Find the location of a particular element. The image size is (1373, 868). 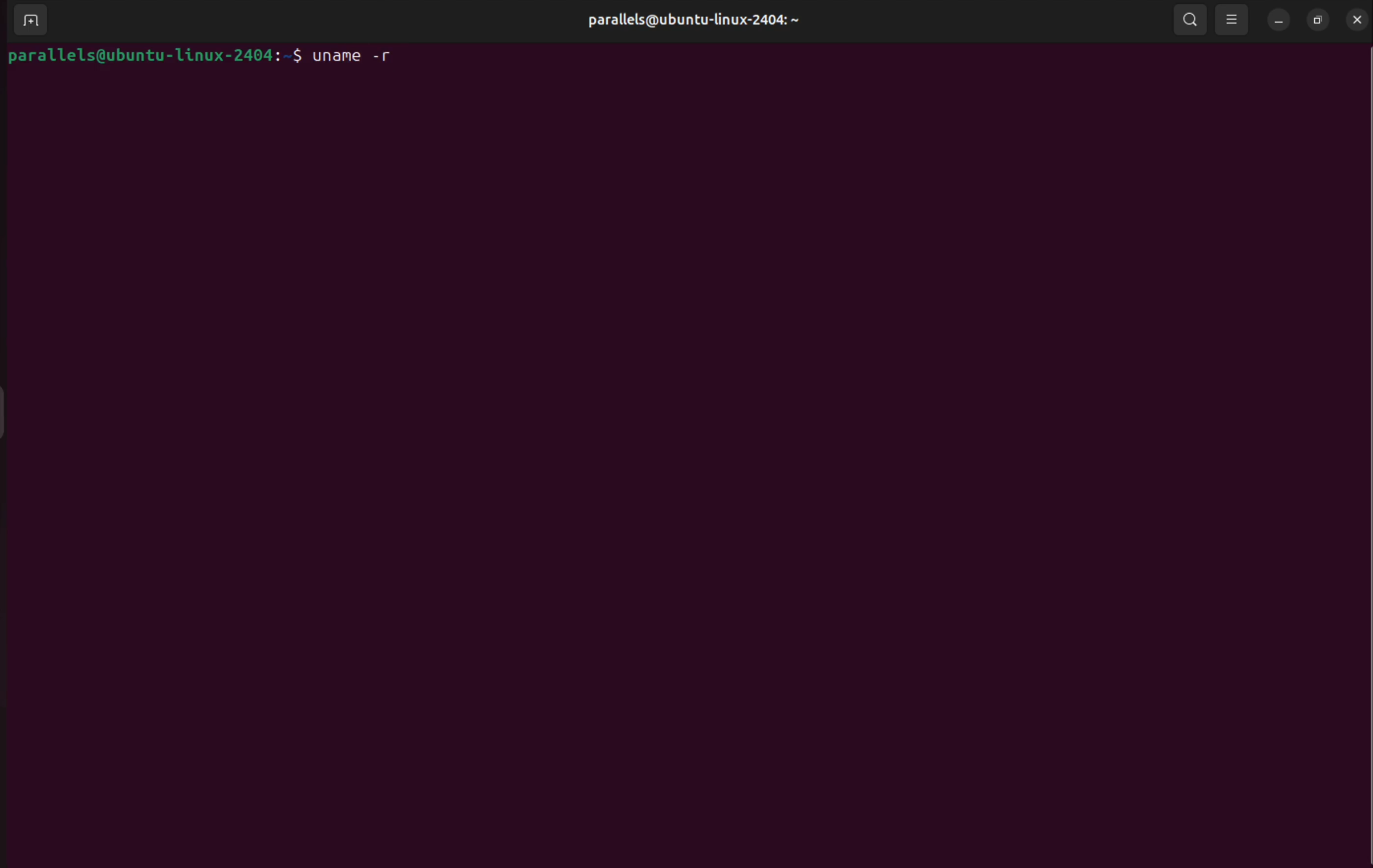

parallels@ubuntu-linux-2404: ~ is located at coordinates (683, 19).